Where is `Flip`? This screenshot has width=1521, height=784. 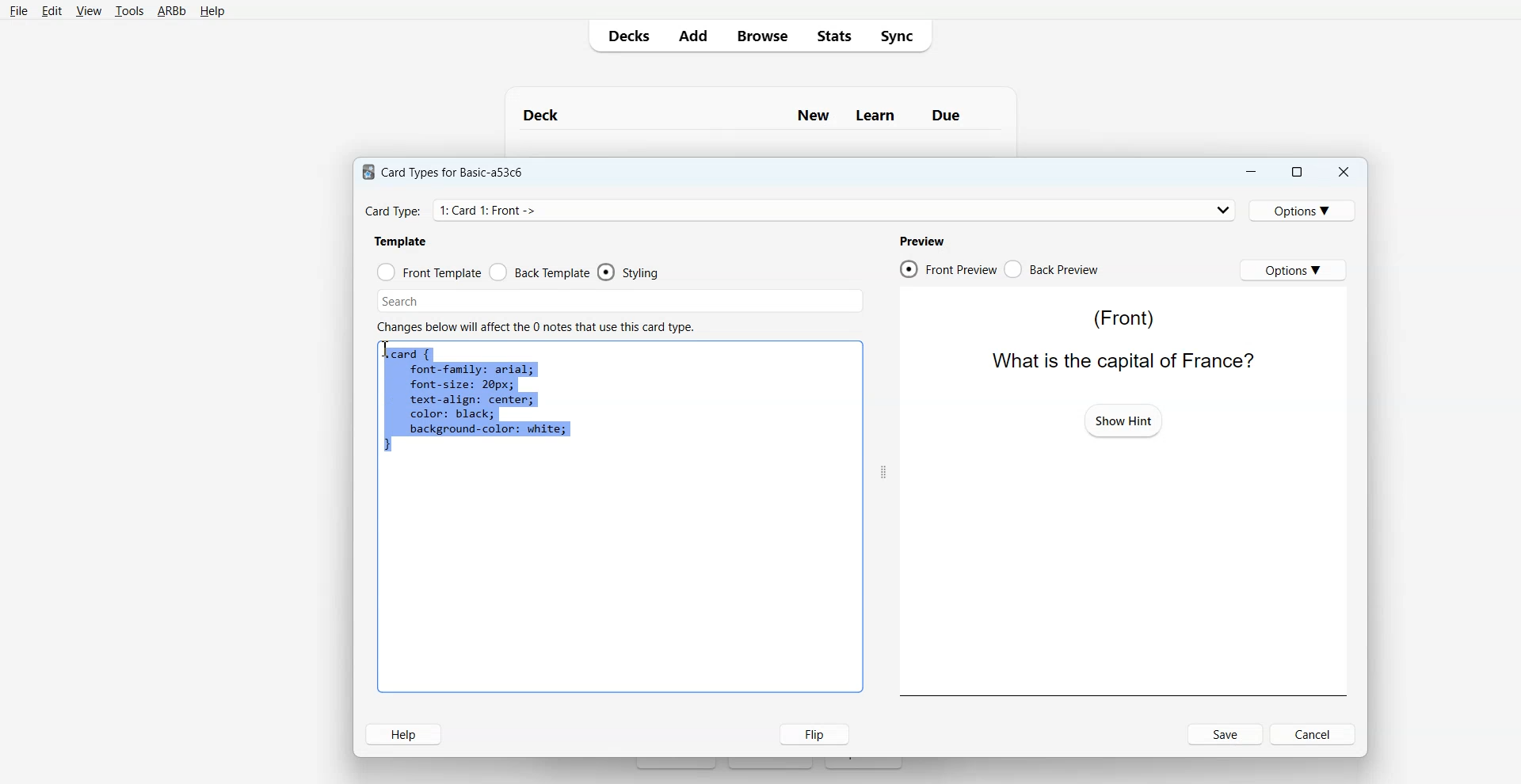 Flip is located at coordinates (810, 733).